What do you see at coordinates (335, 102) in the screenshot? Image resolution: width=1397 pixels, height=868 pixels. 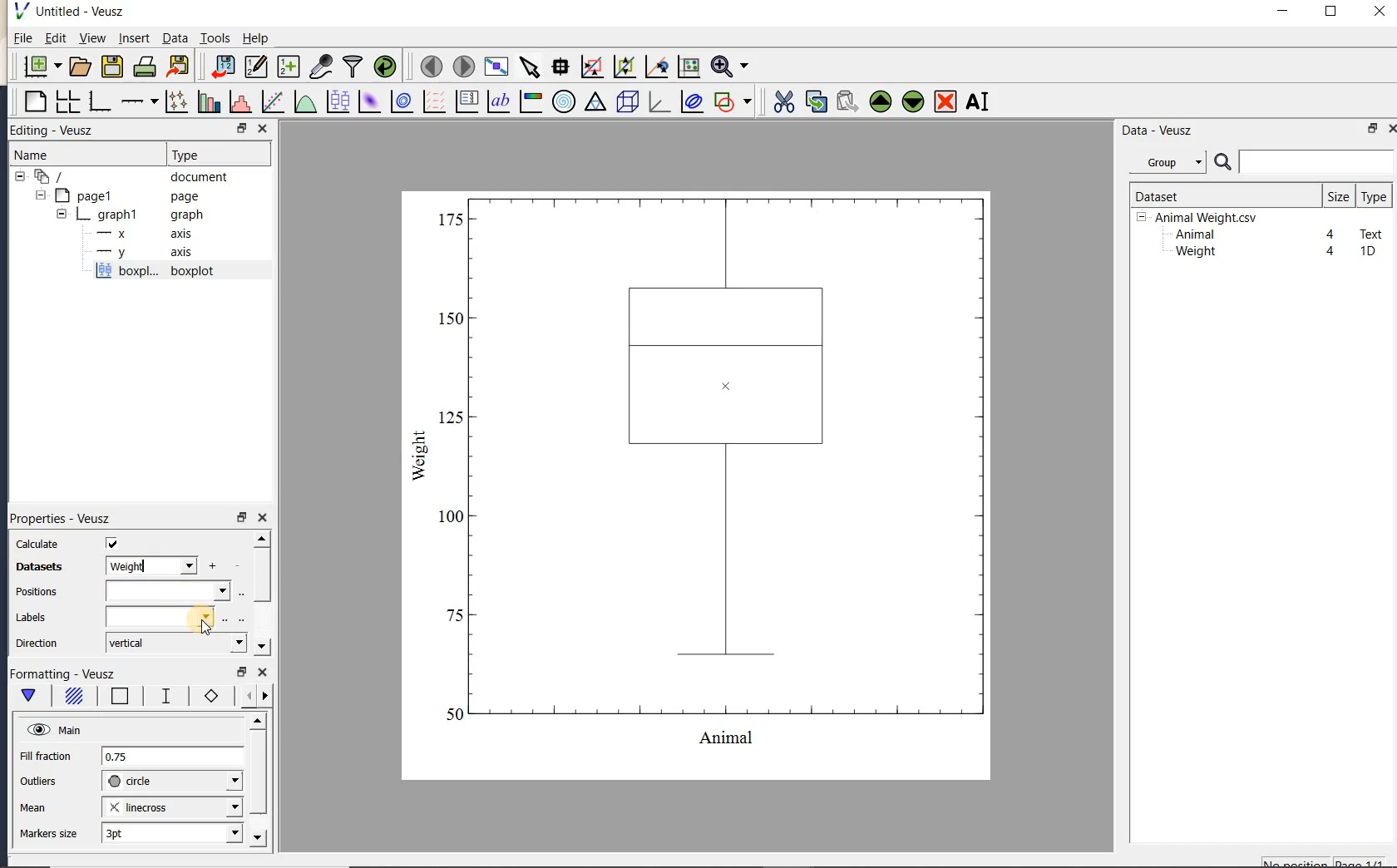 I see `plot box plots` at bounding box center [335, 102].